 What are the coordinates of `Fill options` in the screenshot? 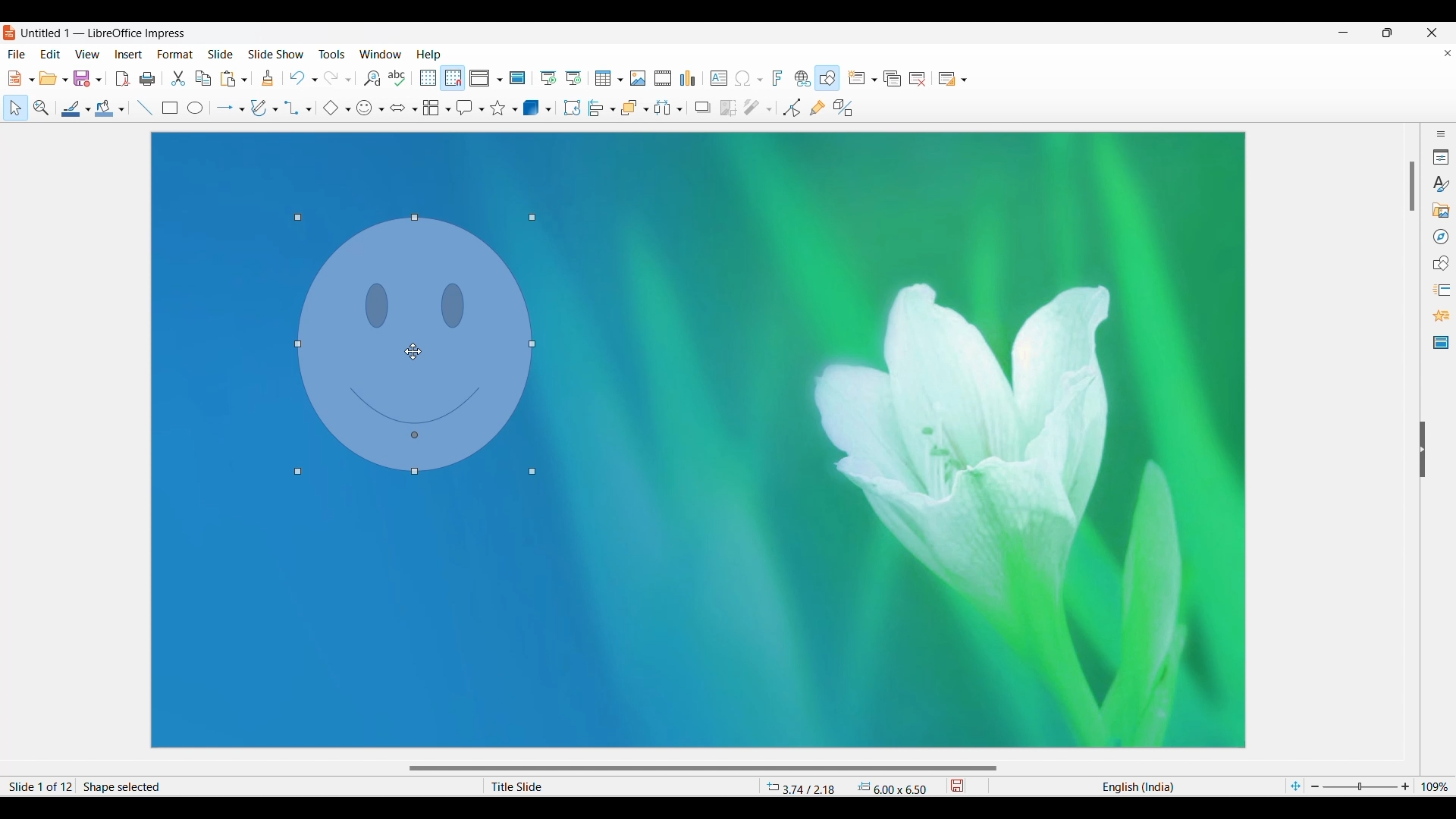 It's located at (121, 109).